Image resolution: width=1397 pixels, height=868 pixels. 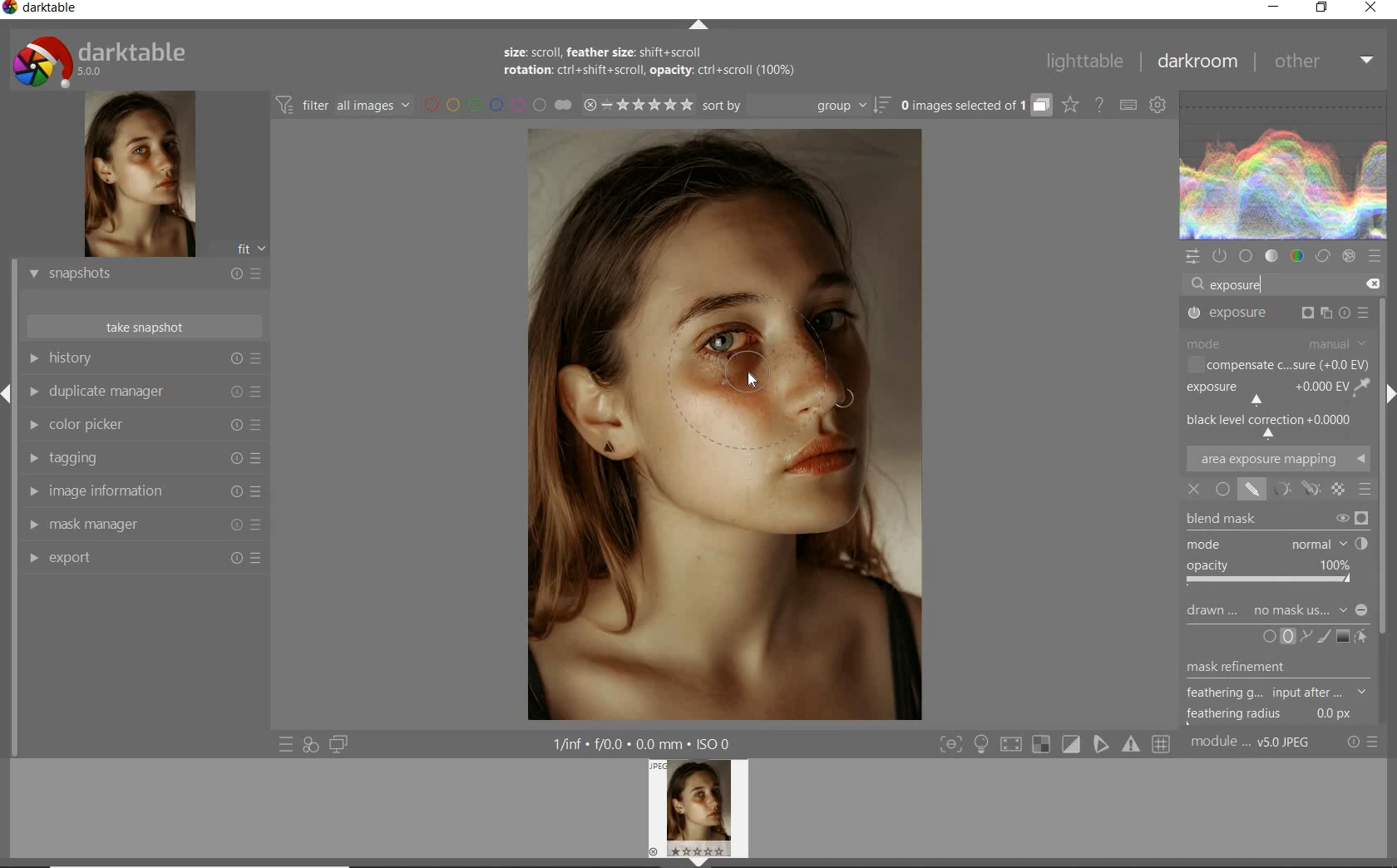 What do you see at coordinates (1088, 60) in the screenshot?
I see `lighttable` at bounding box center [1088, 60].